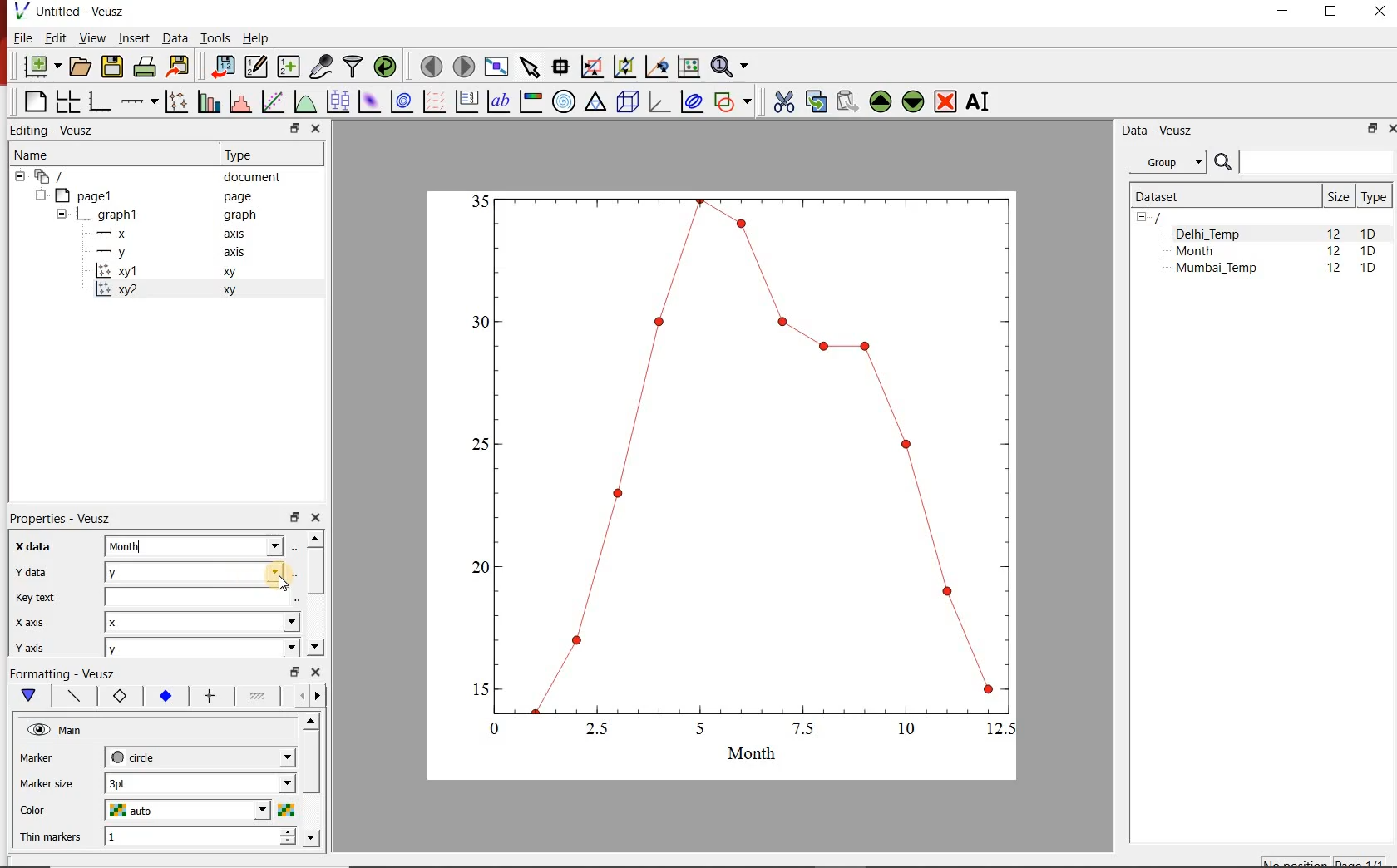 Image resolution: width=1397 pixels, height=868 pixels. I want to click on renames the selected widget, so click(979, 102).